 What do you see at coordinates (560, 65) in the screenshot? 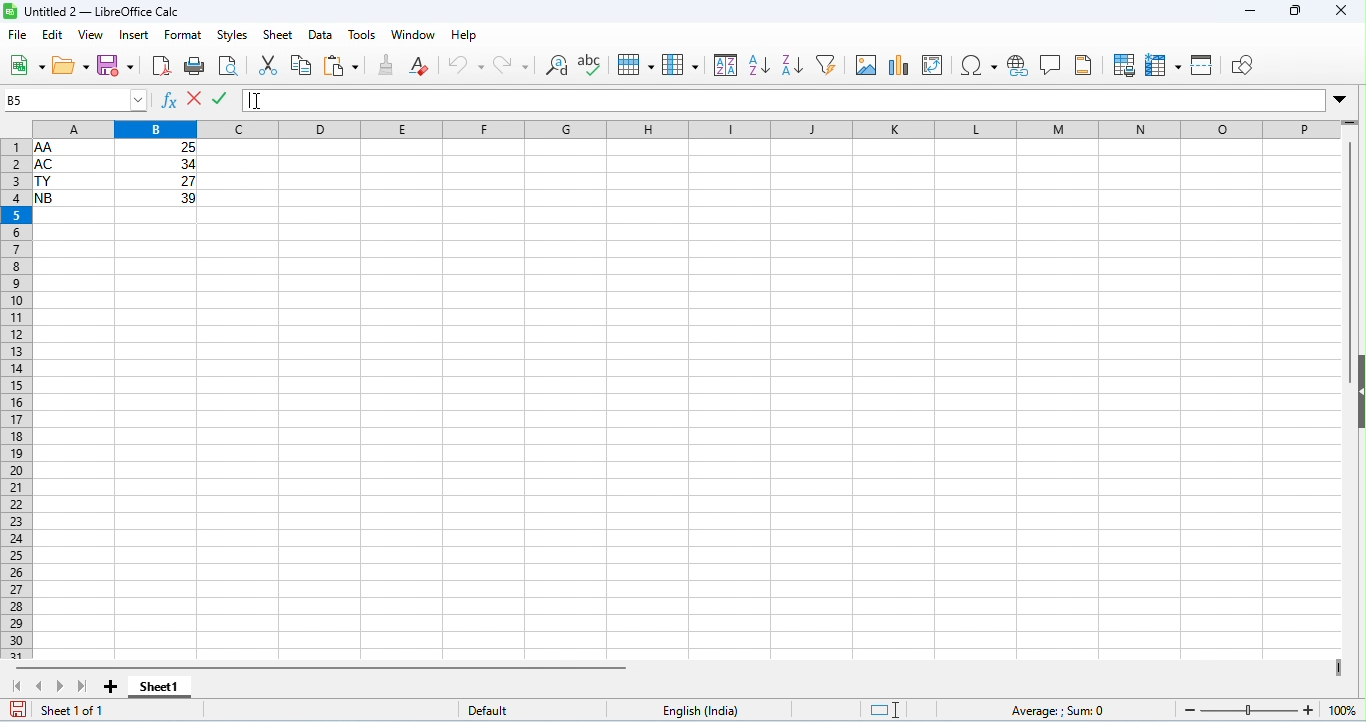
I see `find and replace` at bounding box center [560, 65].